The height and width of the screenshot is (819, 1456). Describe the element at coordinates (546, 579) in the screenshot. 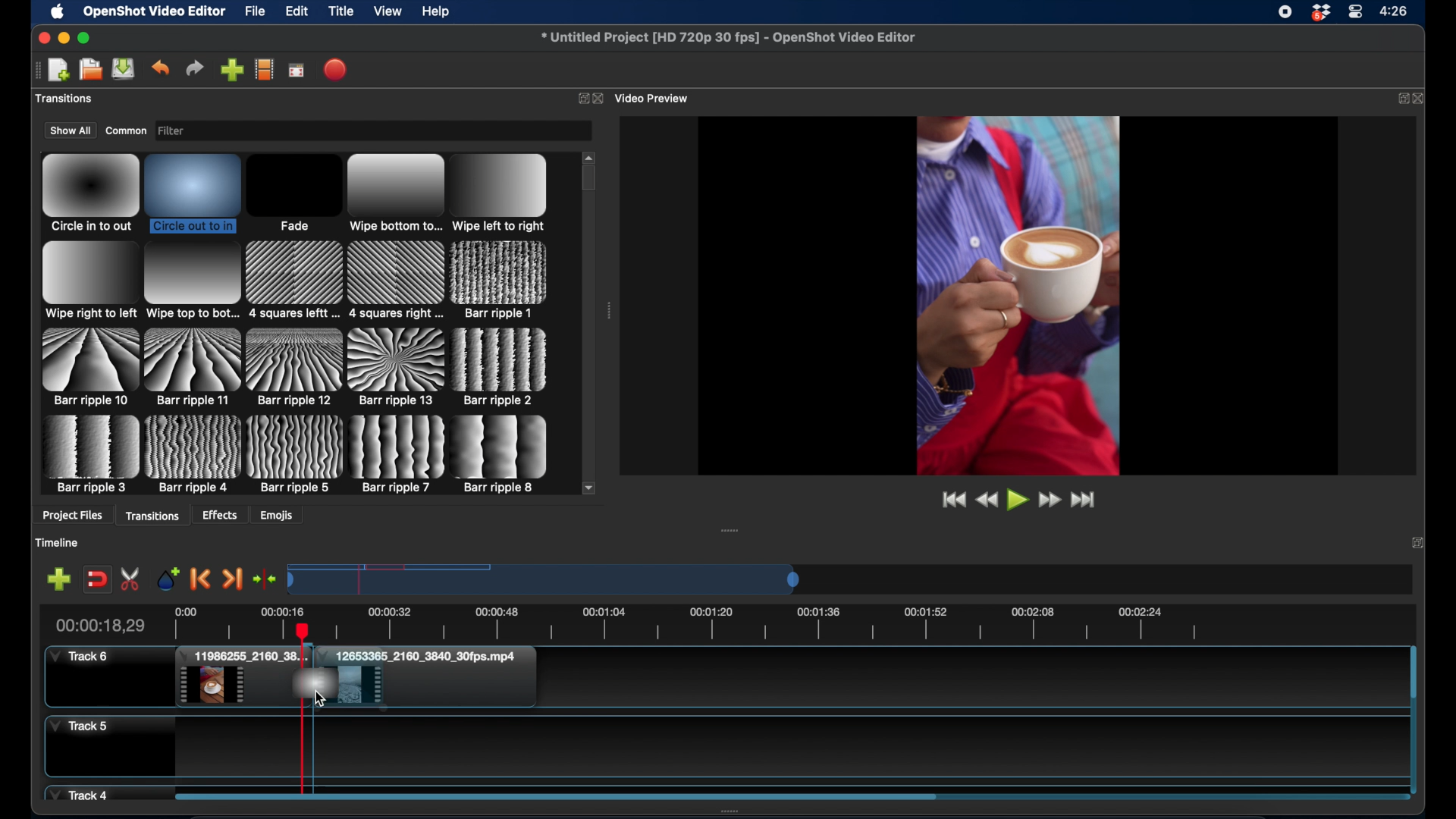

I see `timeline scale` at that location.